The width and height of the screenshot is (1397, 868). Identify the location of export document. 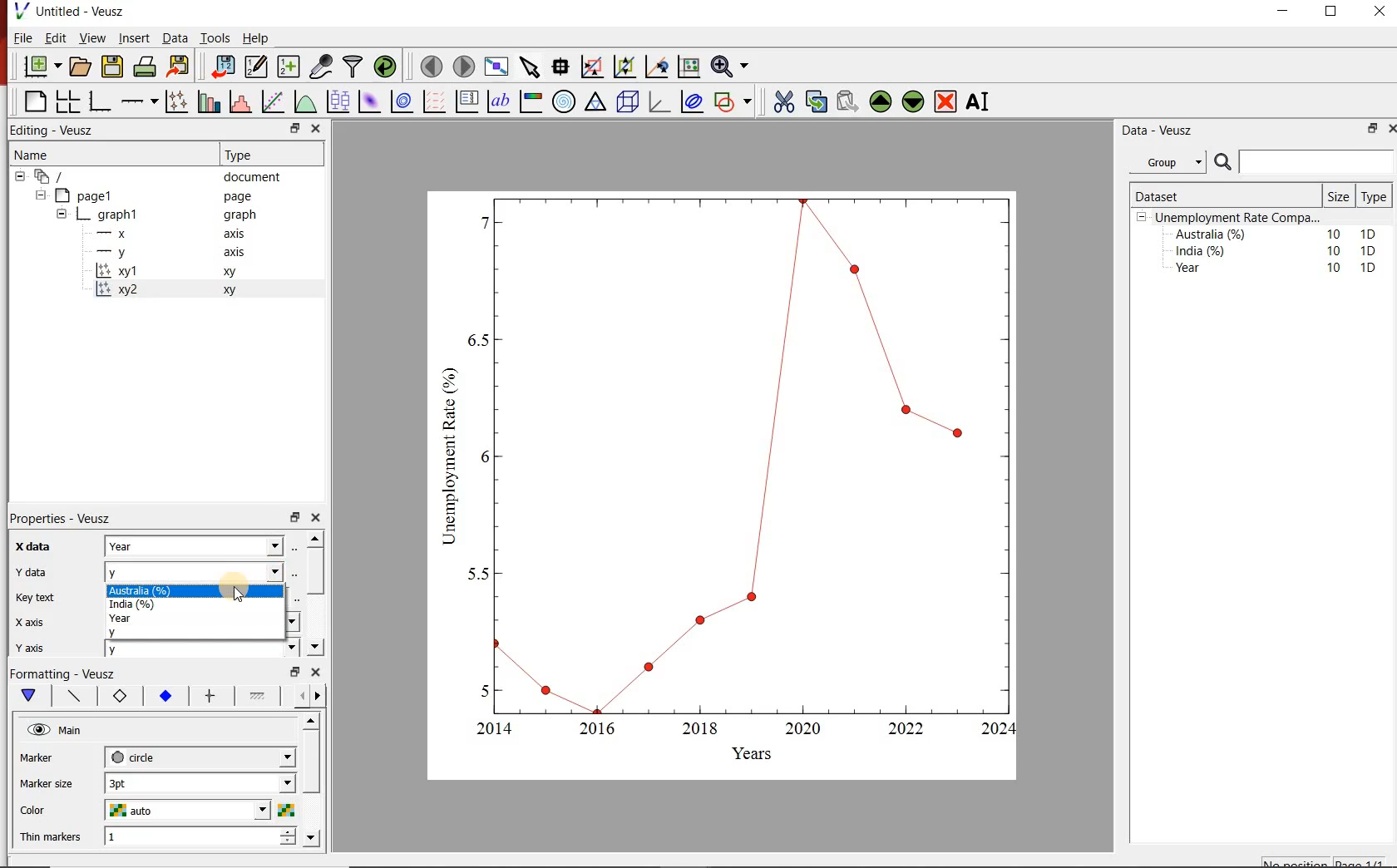
(180, 65).